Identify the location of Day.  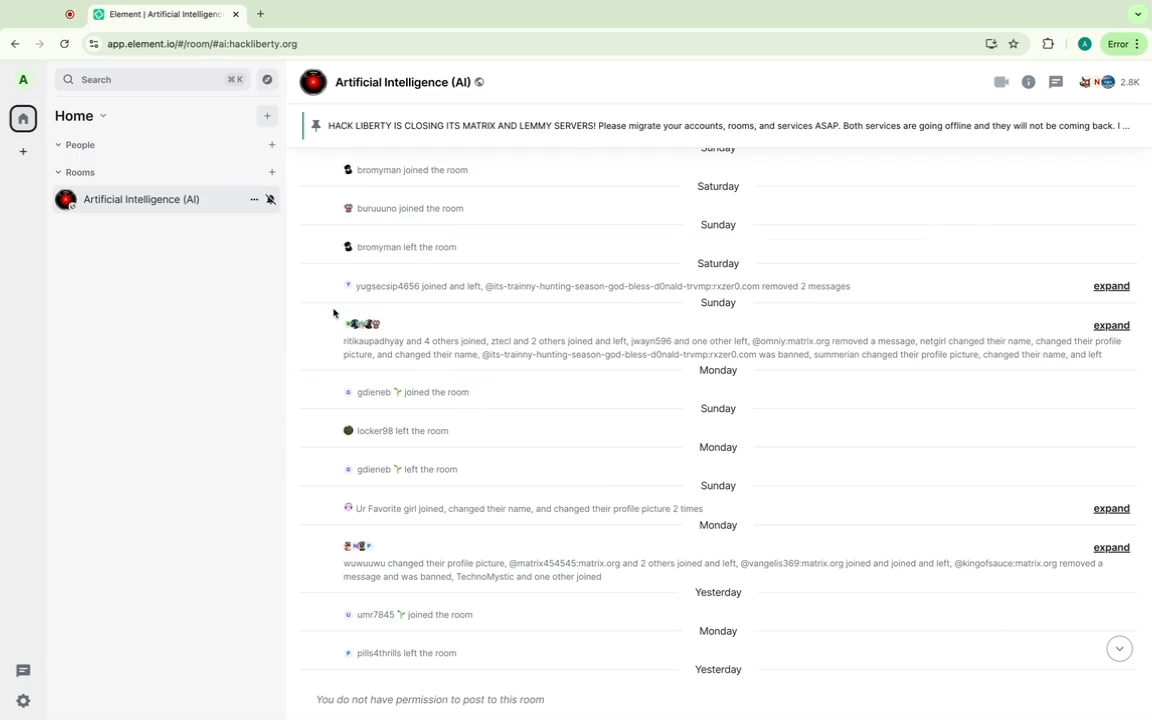
(722, 304).